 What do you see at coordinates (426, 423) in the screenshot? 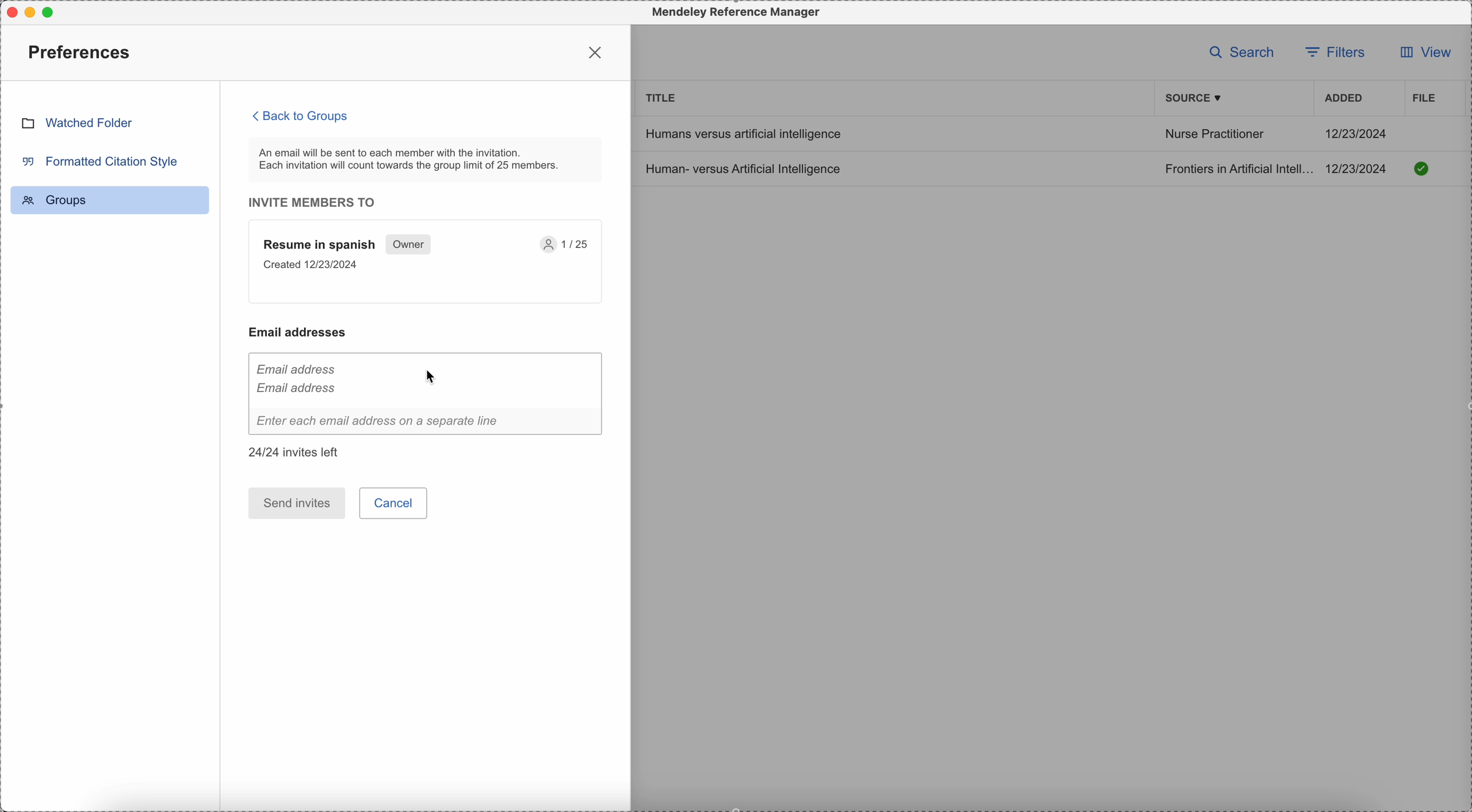
I see `enter each email address on a separate line` at bounding box center [426, 423].